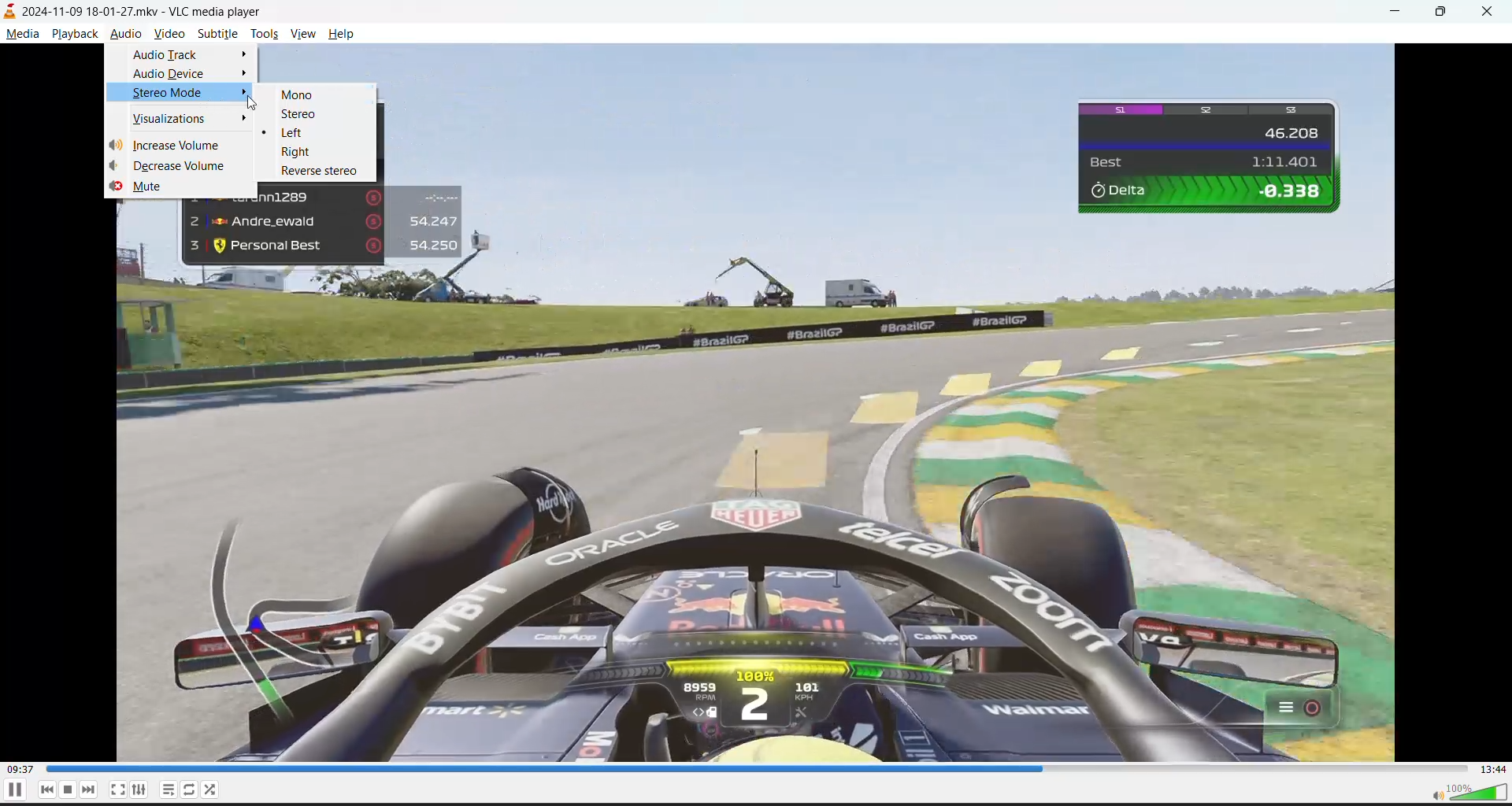 This screenshot has width=1512, height=806. What do you see at coordinates (22, 35) in the screenshot?
I see `media` at bounding box center [22, 35].